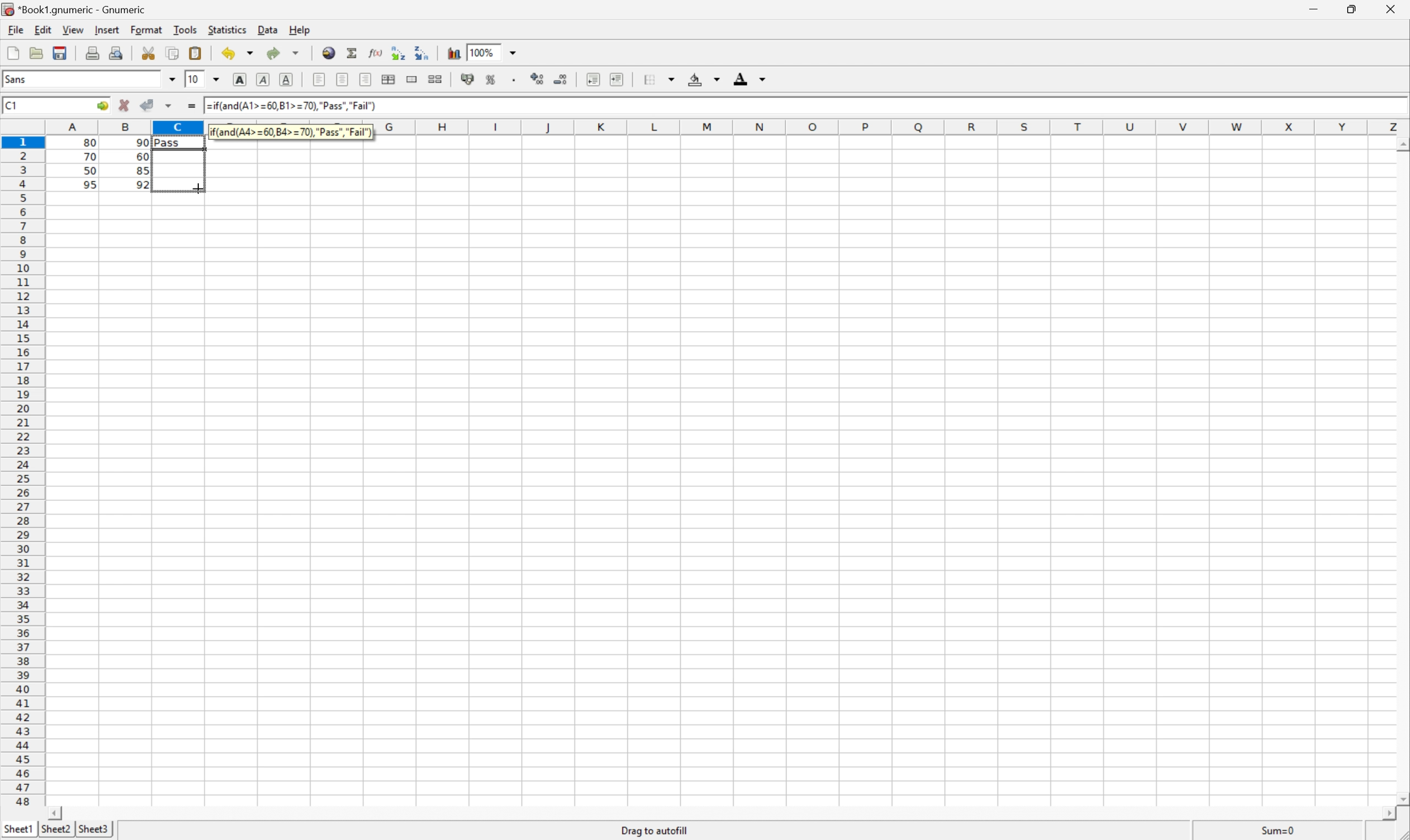 This screenshot has height=840, width=1410. I want to click on *Book1.gnumeric - Gnumeric, so click(72, 9).